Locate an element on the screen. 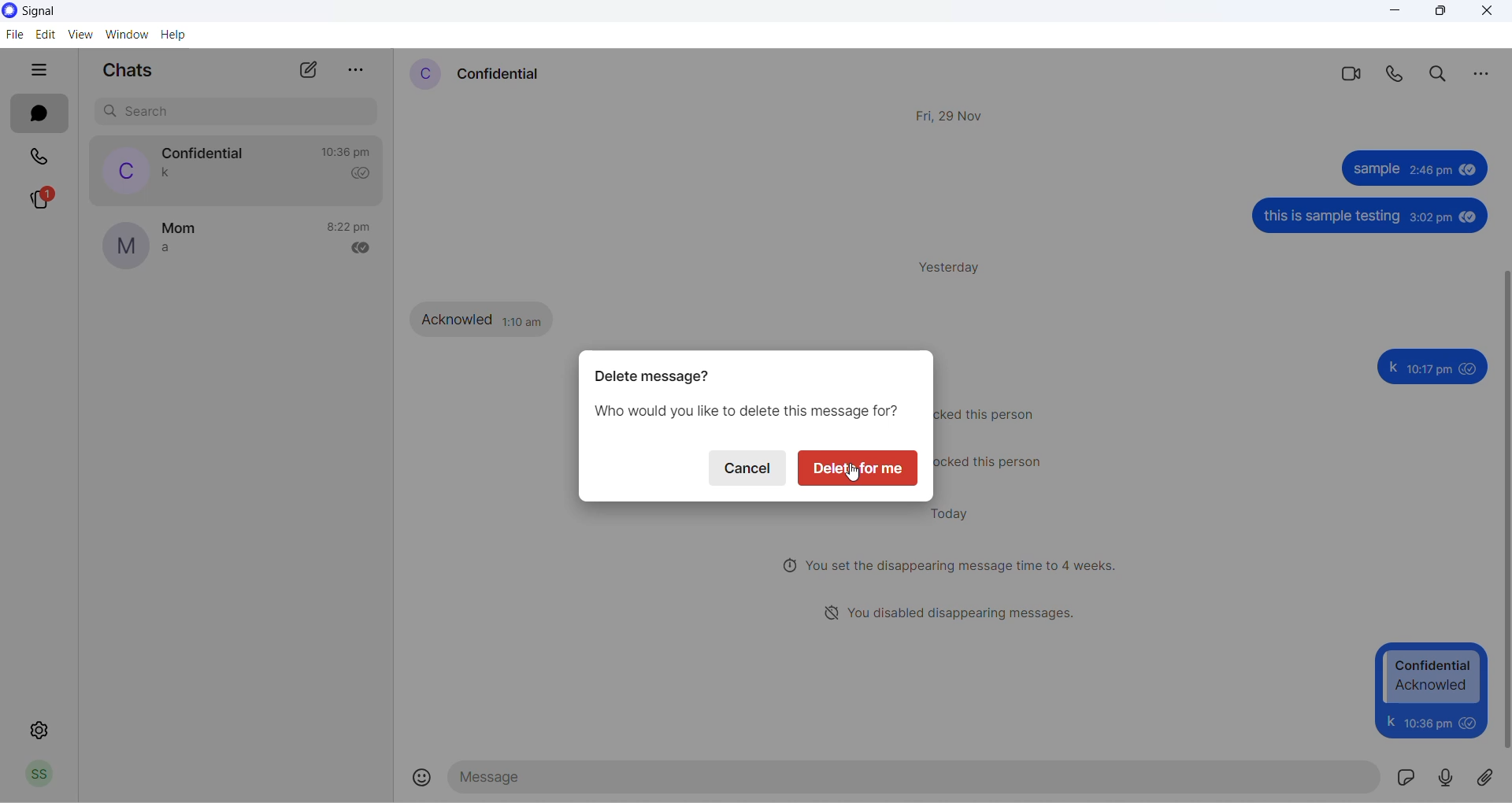 The width and height of the screenshot is (1512, 803). sample is located at coordinates (1373, 172).